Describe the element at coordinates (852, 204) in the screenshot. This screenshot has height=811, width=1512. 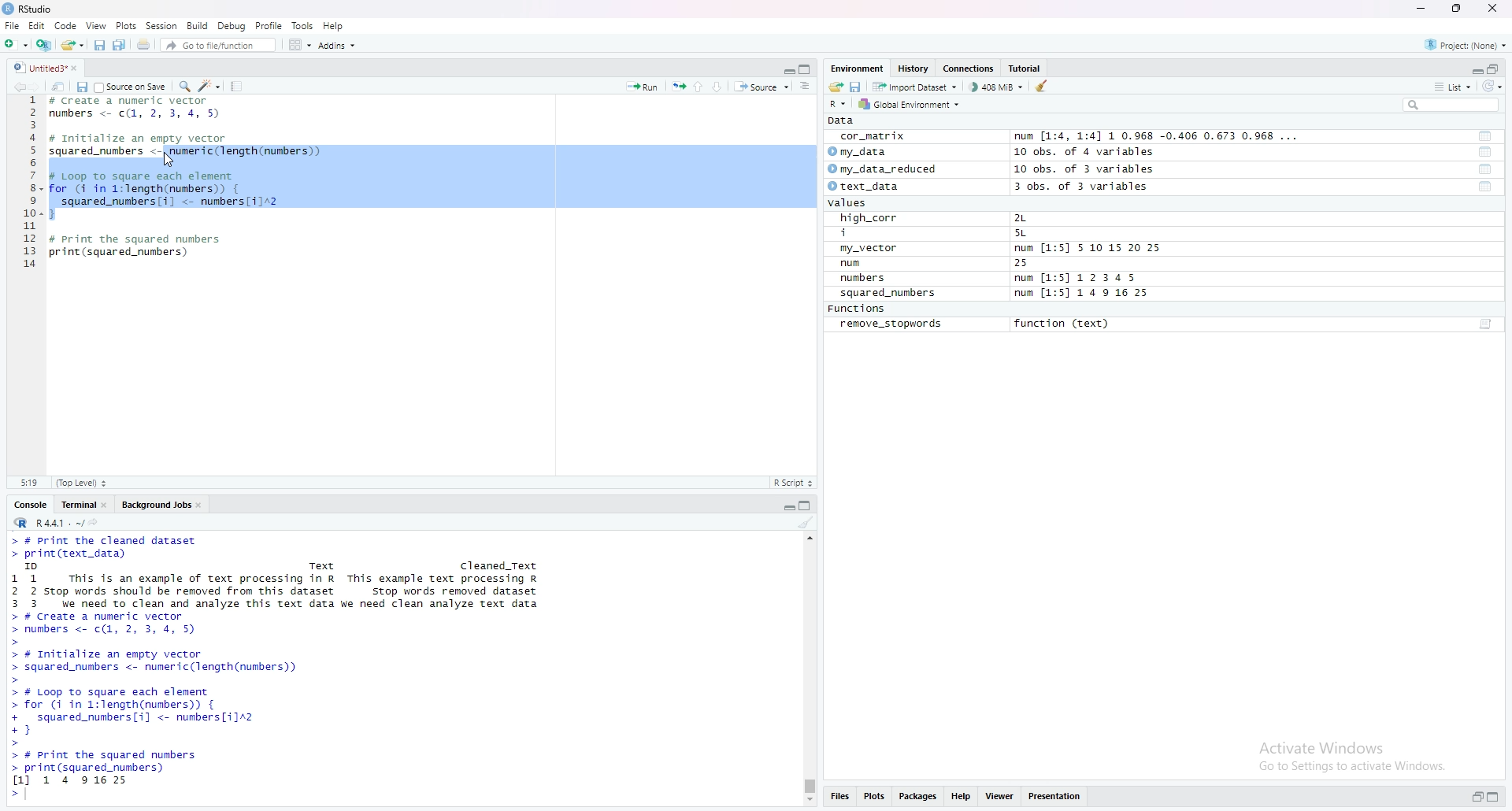
I see `values` at that location.